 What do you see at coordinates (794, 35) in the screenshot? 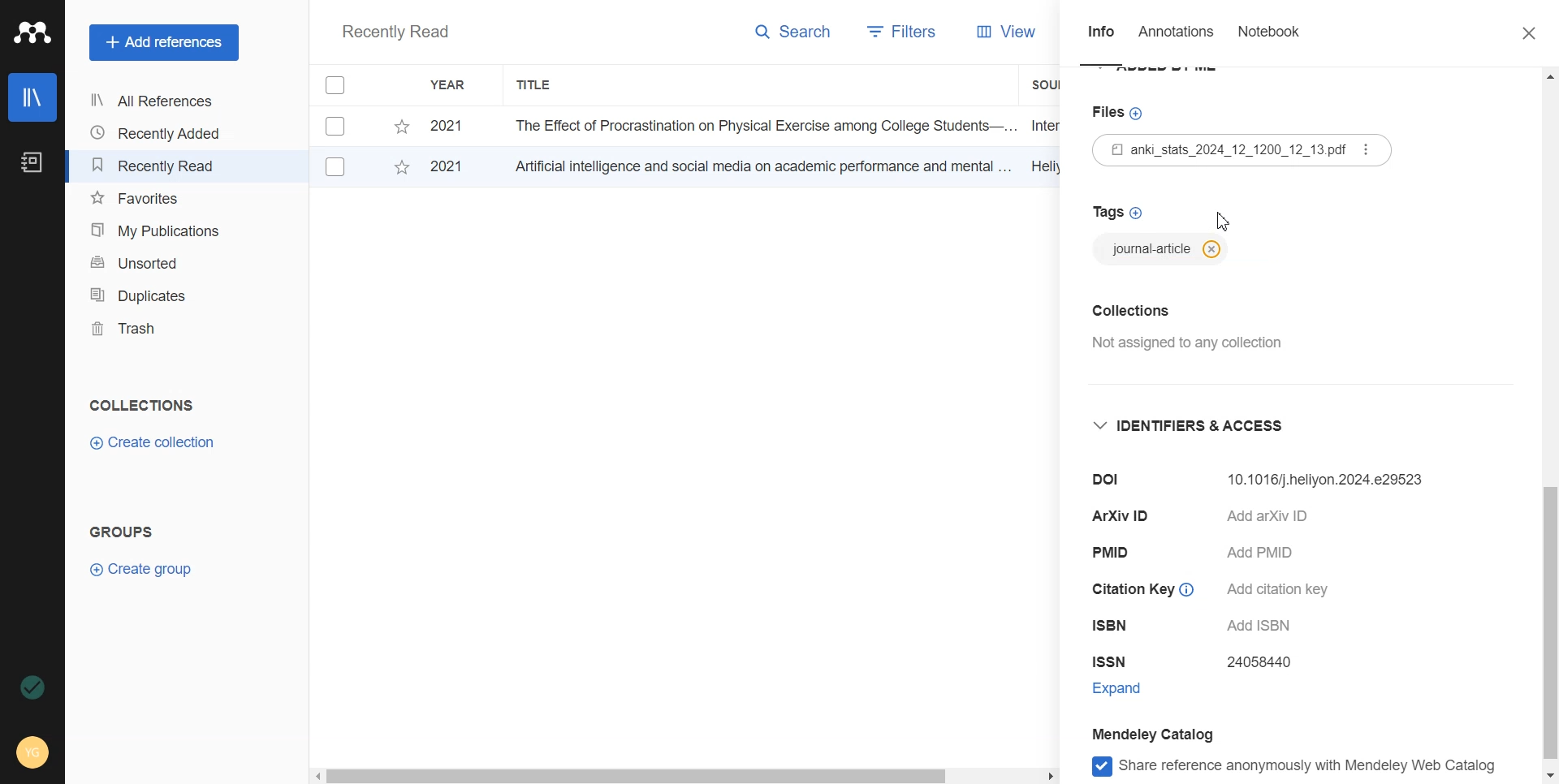
I see `Search` at bounding box center [794, 35].